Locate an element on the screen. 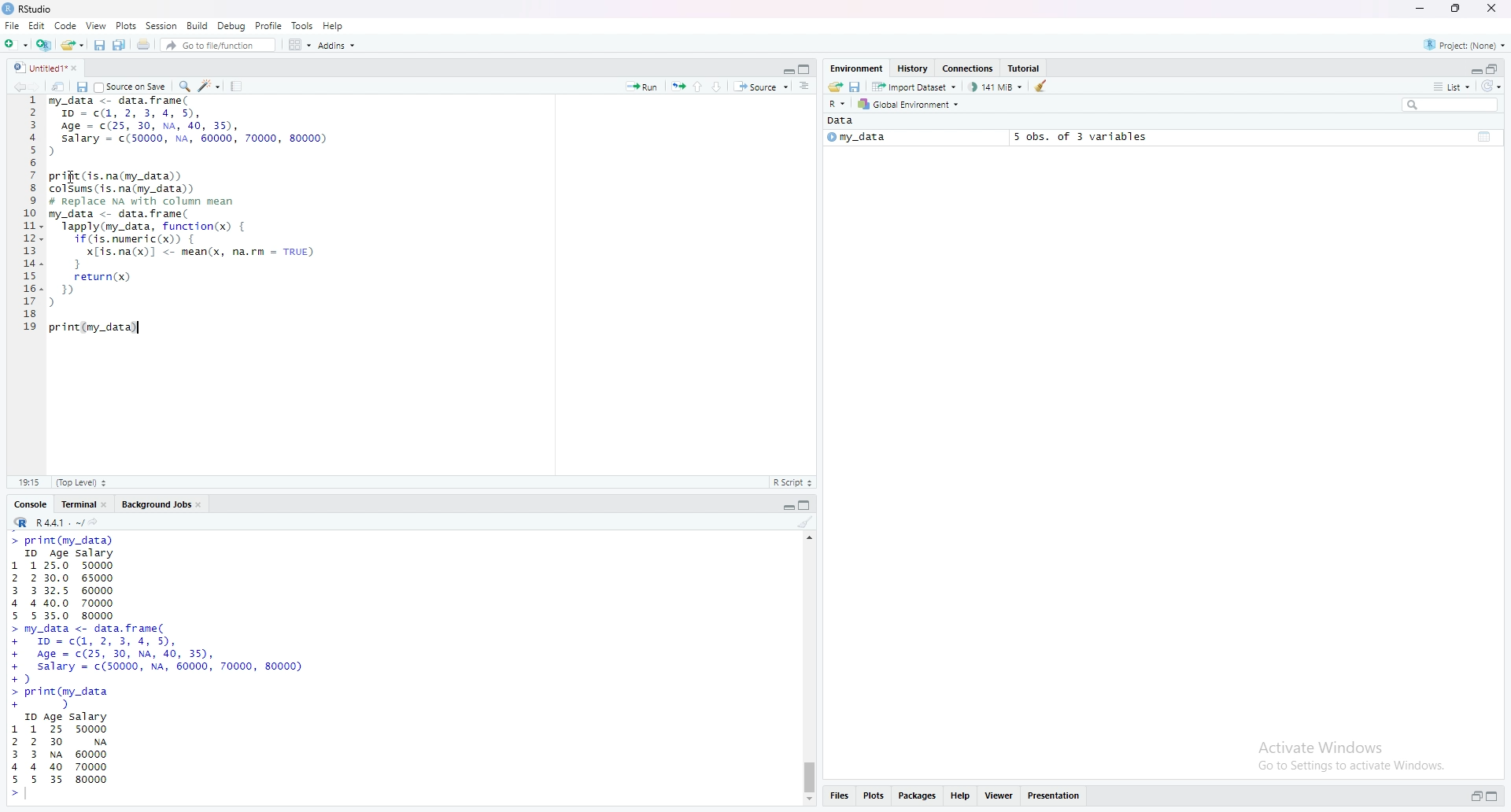 This screenshot has height=812, width=1511. source is located at coordinates (762, 88).